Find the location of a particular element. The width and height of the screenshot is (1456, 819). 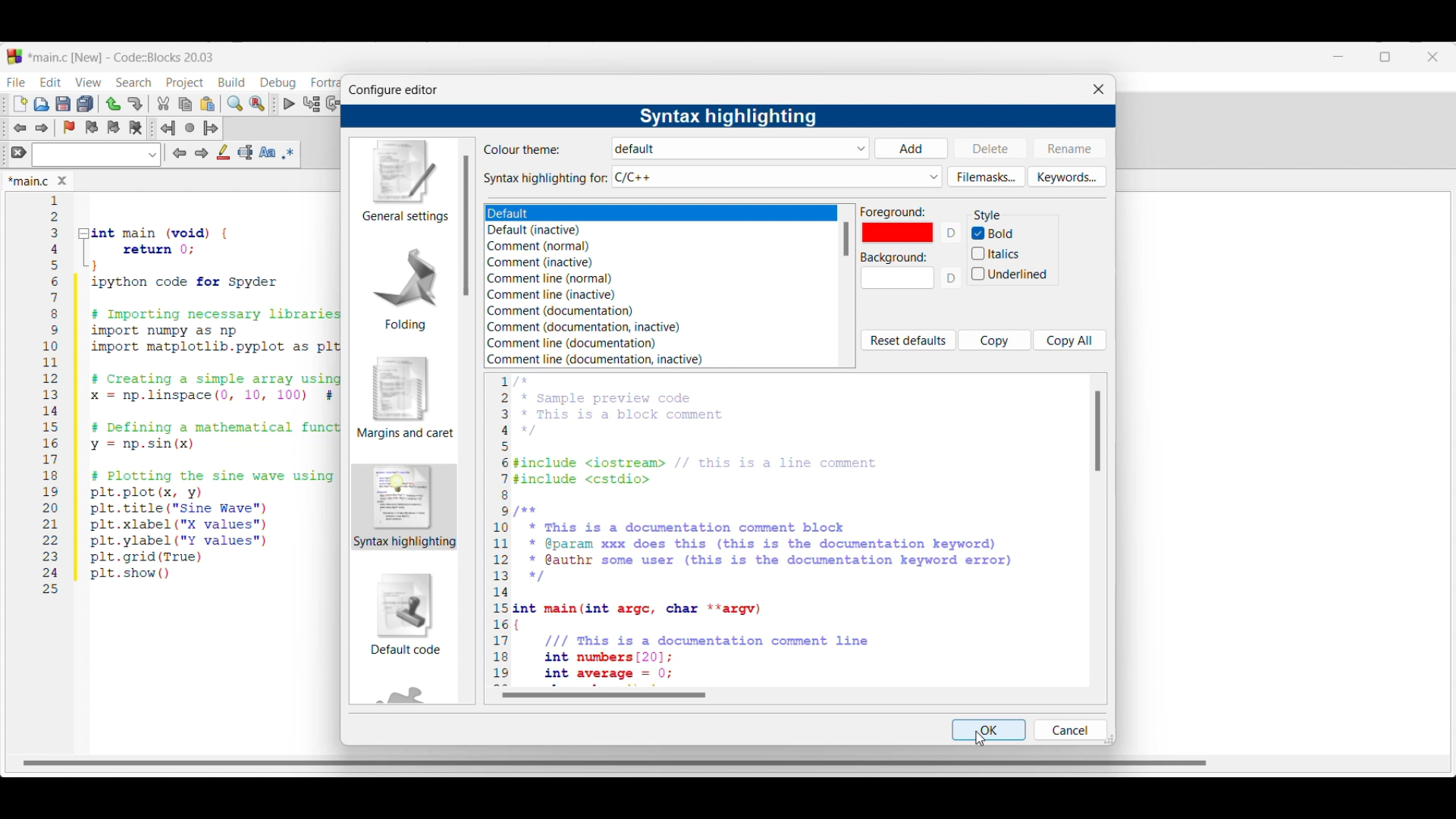

Debug menu is located at coordinates (278, 83).